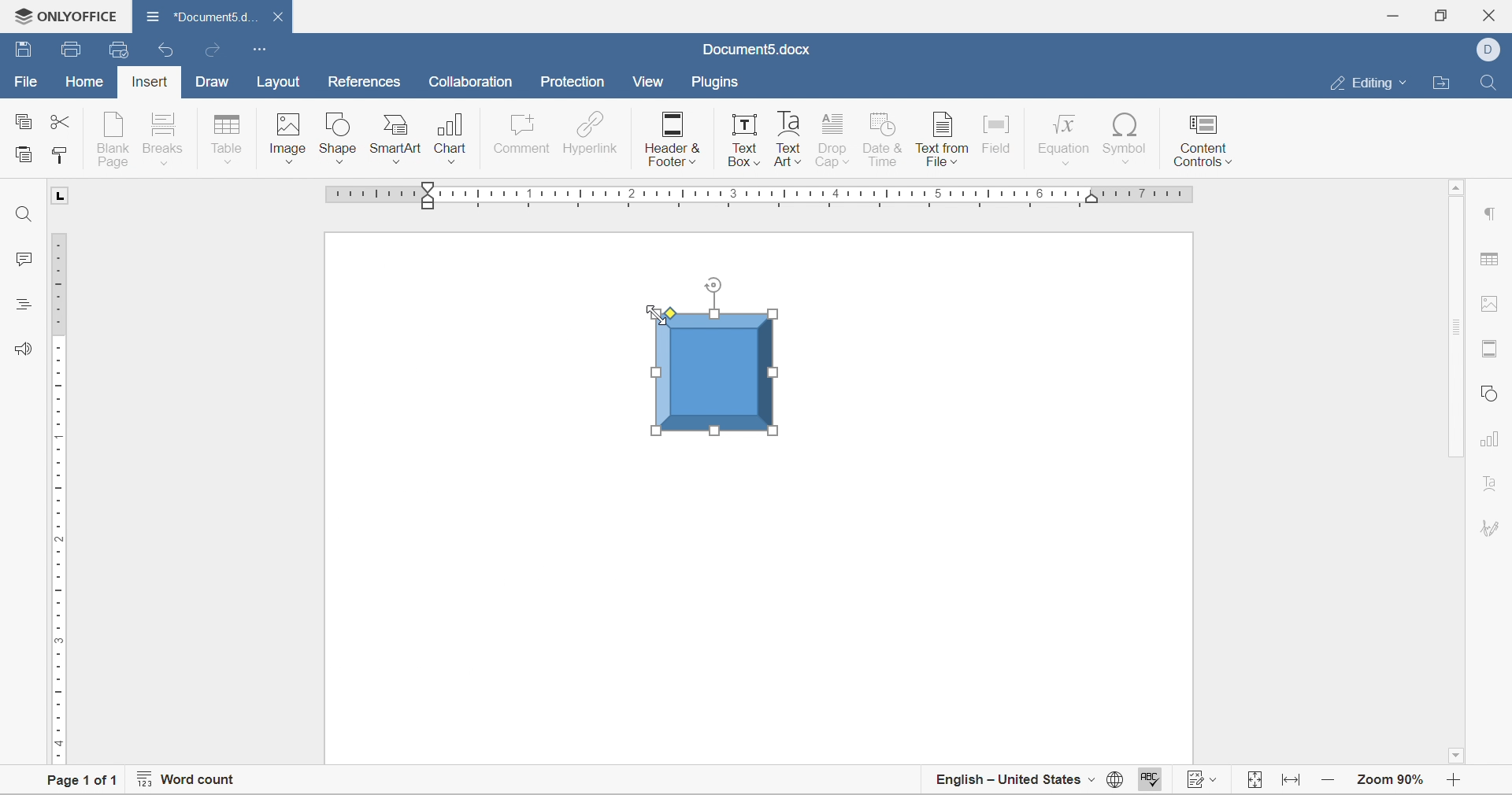 Image resolution: width=1512 pixels, height=795 pixels. Describe the element at coordinates (120, 47) in the screenshot. I see `quick print` at that location.